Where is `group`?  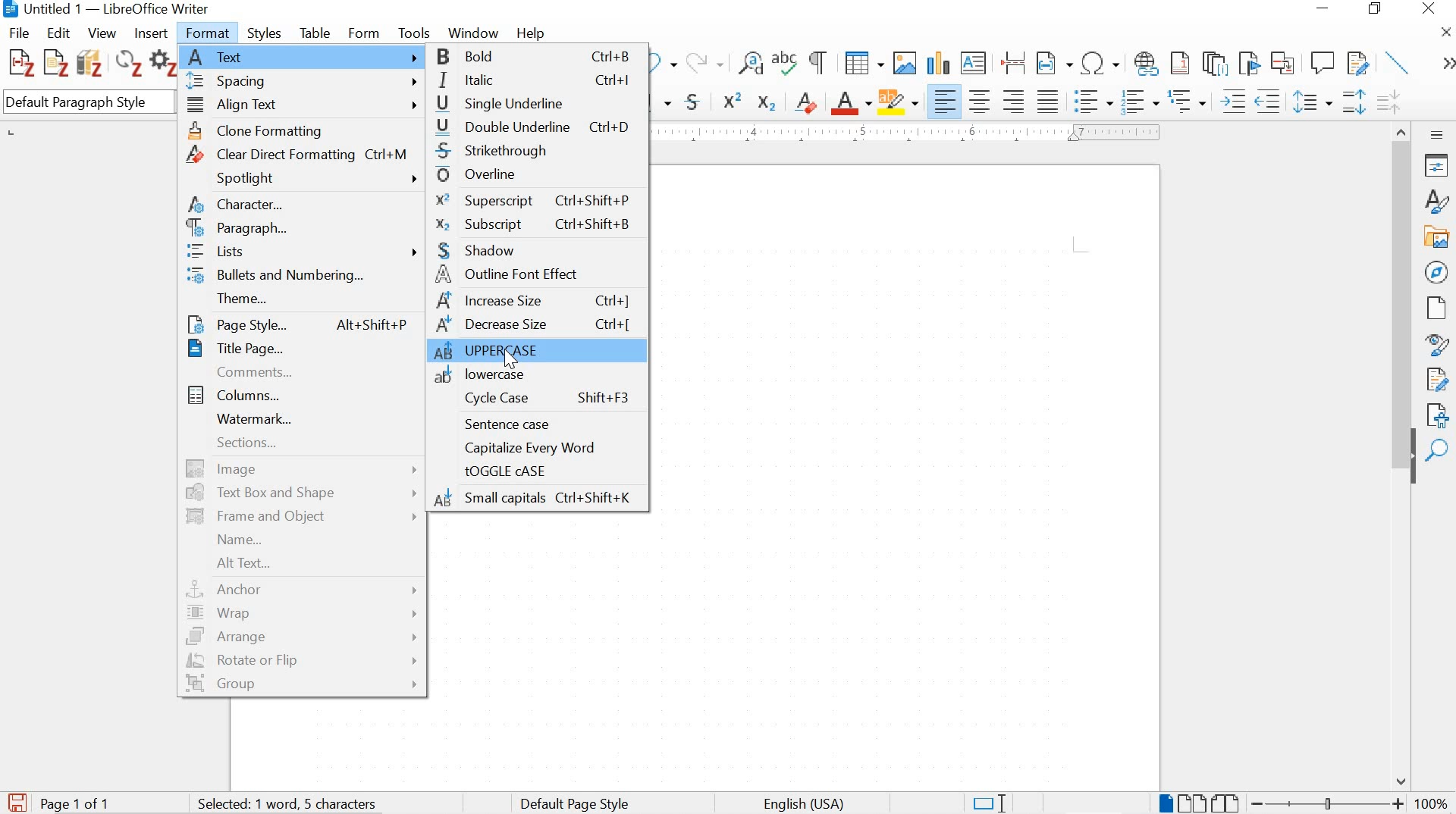
group is located at coordinates (302, 686).